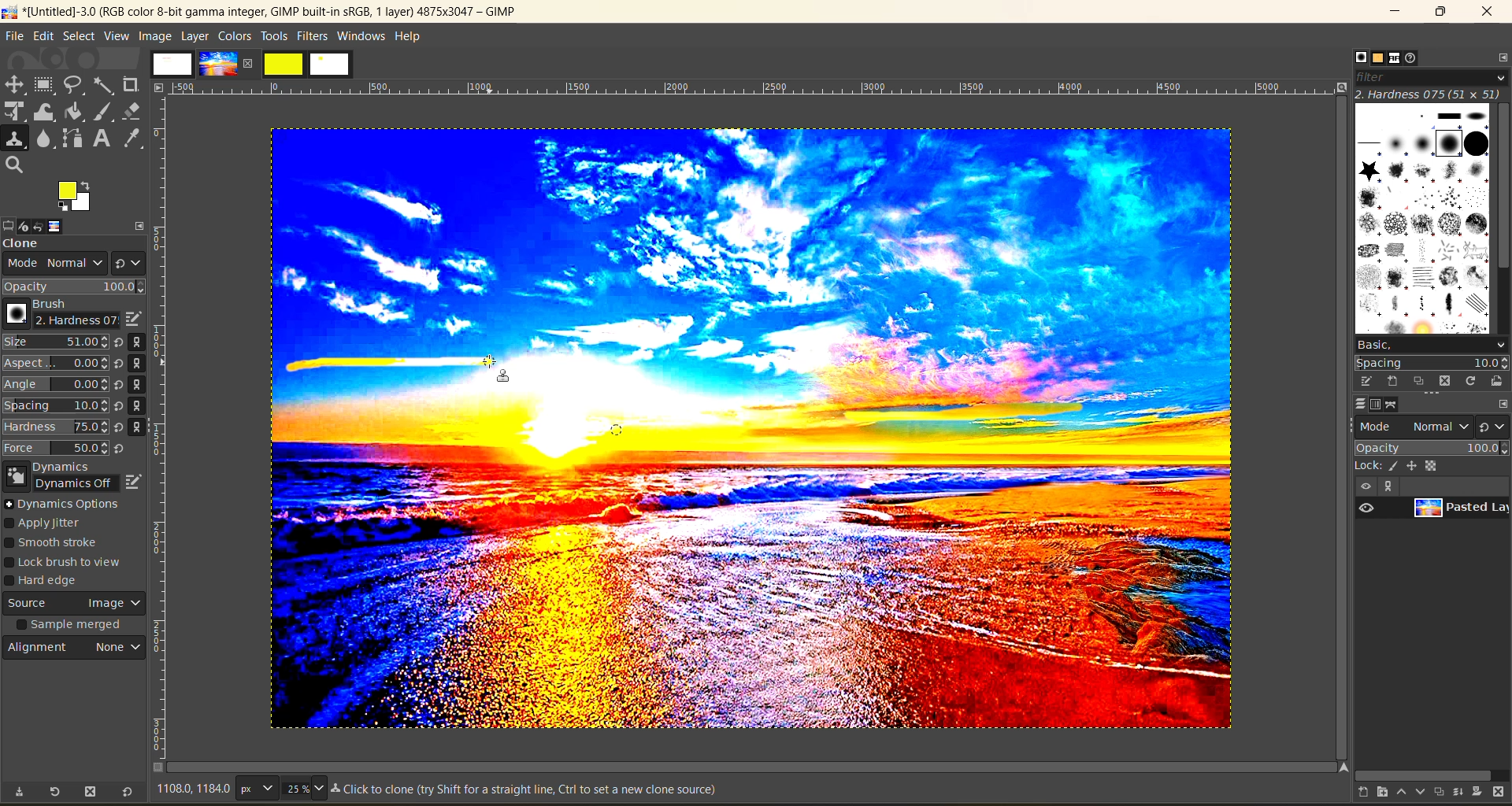 The height and width of the screenshot is (806, 1512). Describe the element at coordinates (1487, 14) in the screenshot. I see `close` at that location.